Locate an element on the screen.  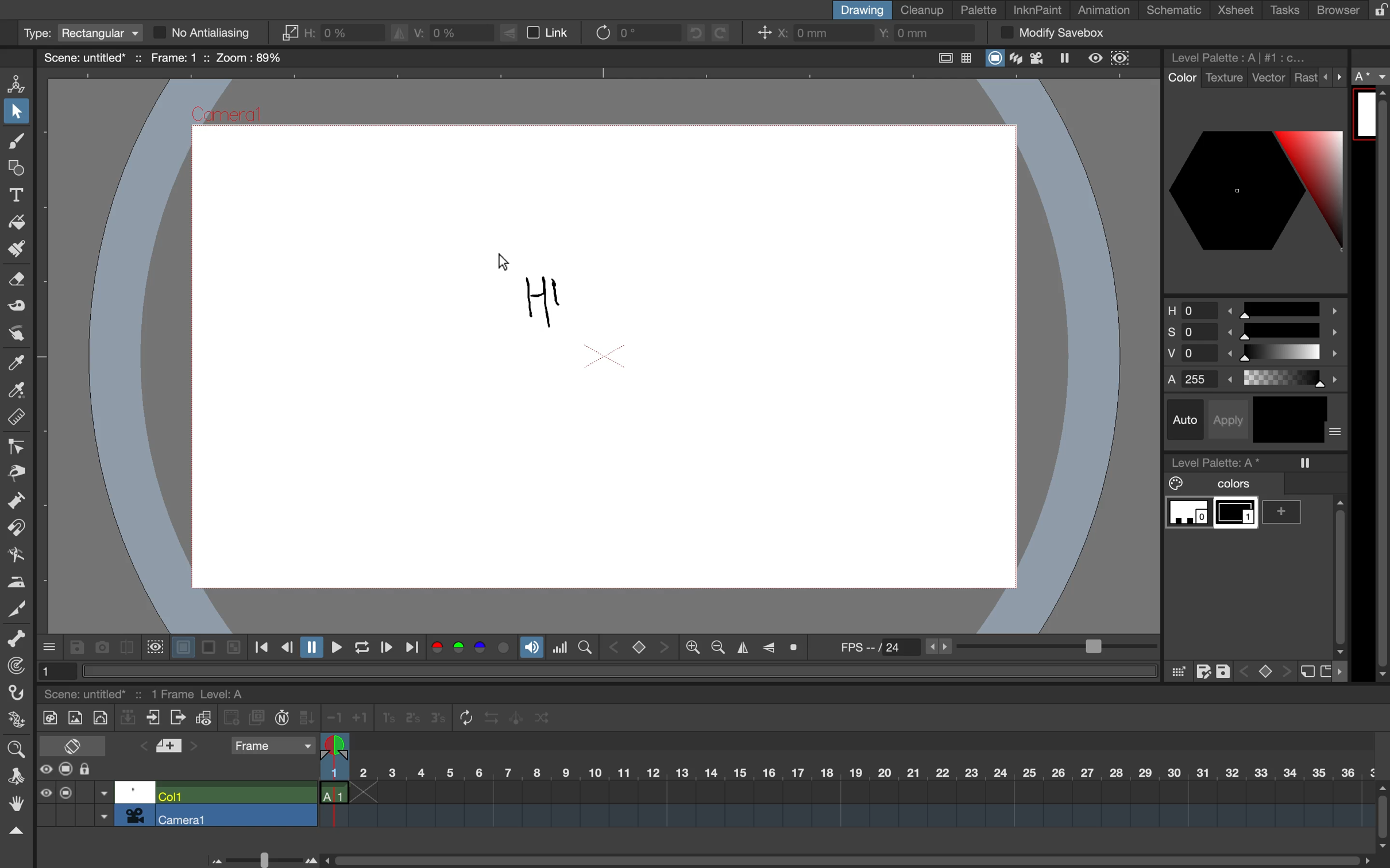
bender tool is located at coordinates (13, 555).